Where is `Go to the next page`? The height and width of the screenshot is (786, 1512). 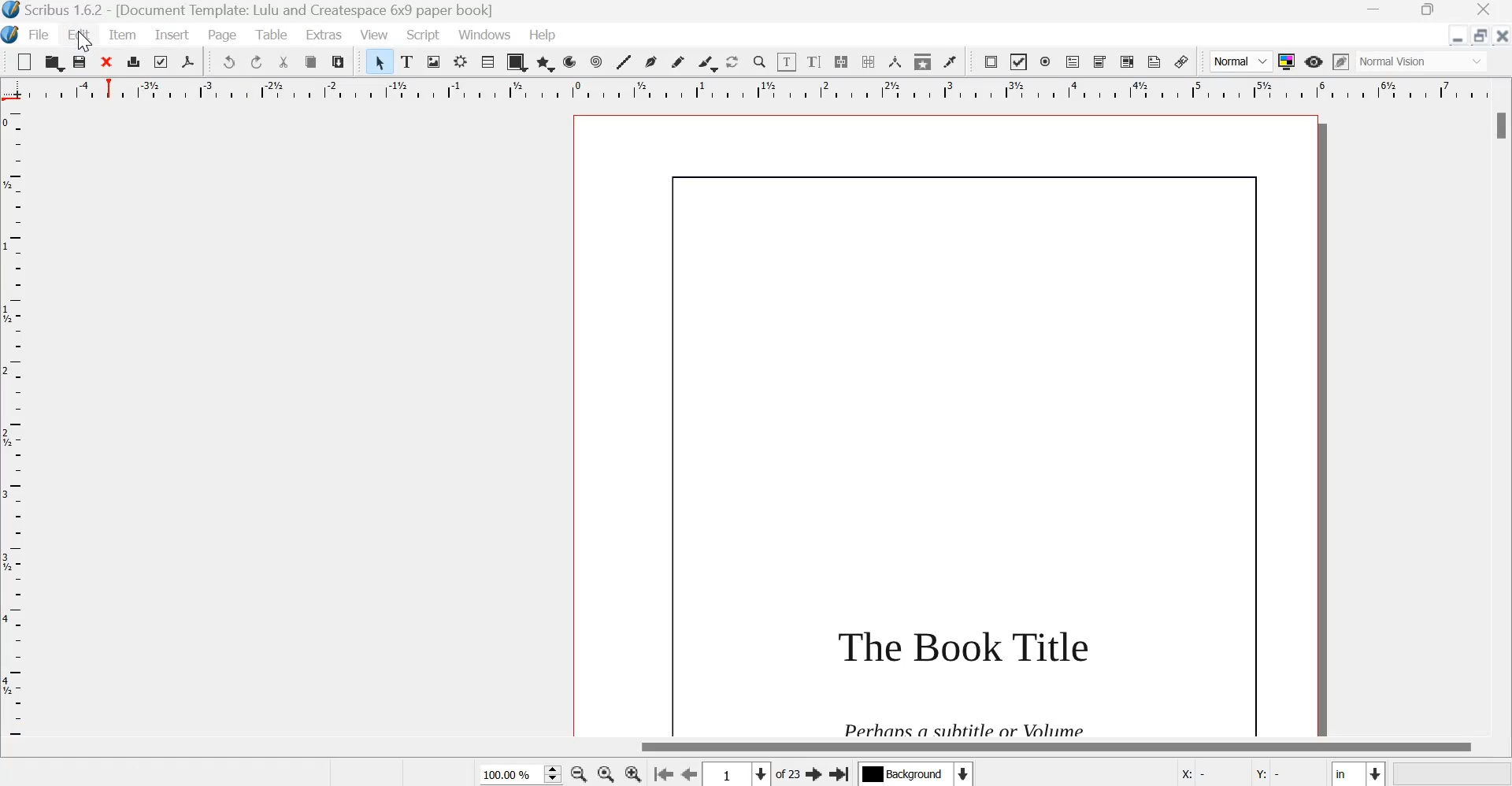
Go to the next page is located at coordinates (813, 774).